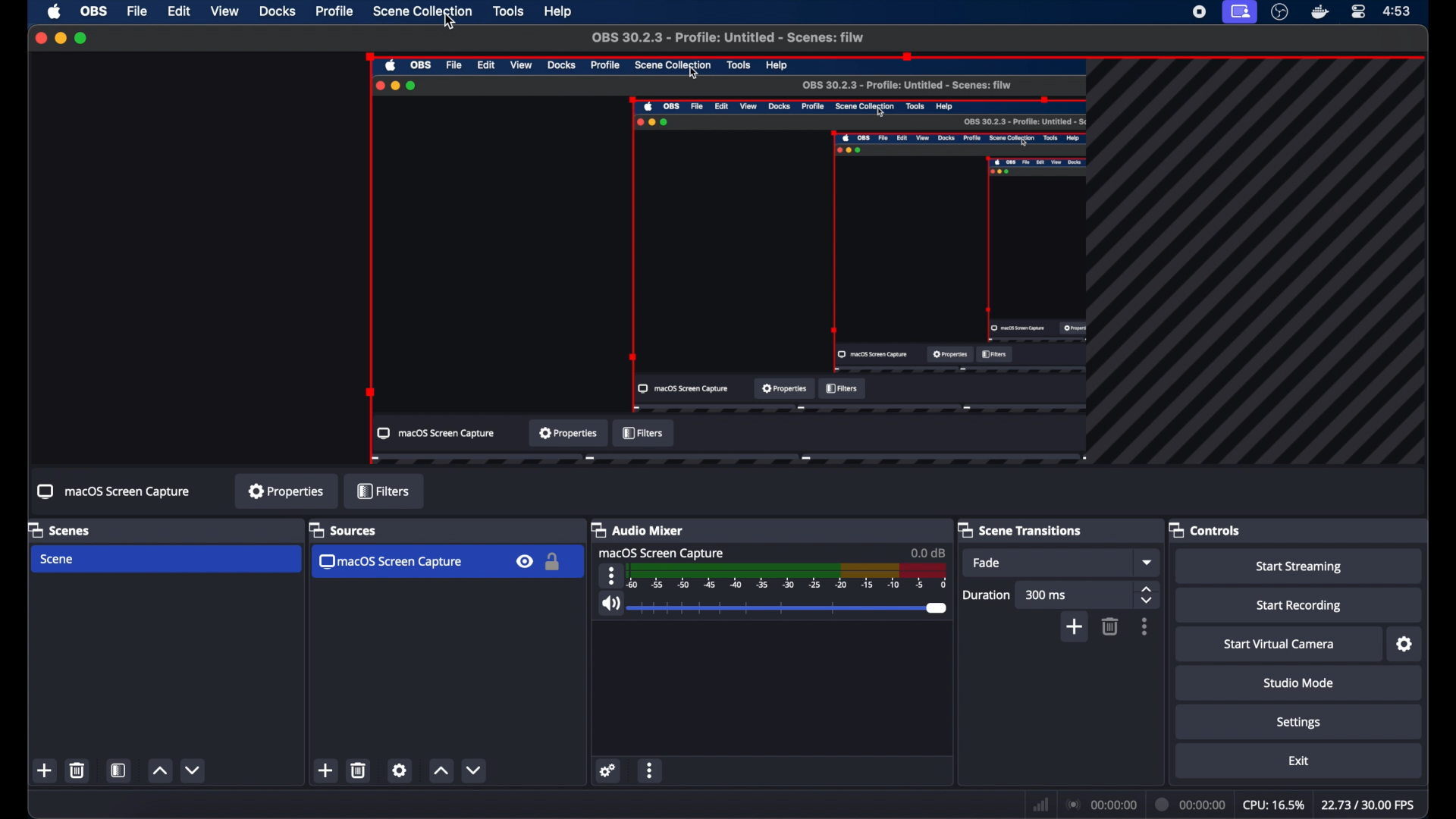 The image size is (1456, 819). Describe the element at coordinates (1146, 626) in the screenshot. I see `more options` at that location.